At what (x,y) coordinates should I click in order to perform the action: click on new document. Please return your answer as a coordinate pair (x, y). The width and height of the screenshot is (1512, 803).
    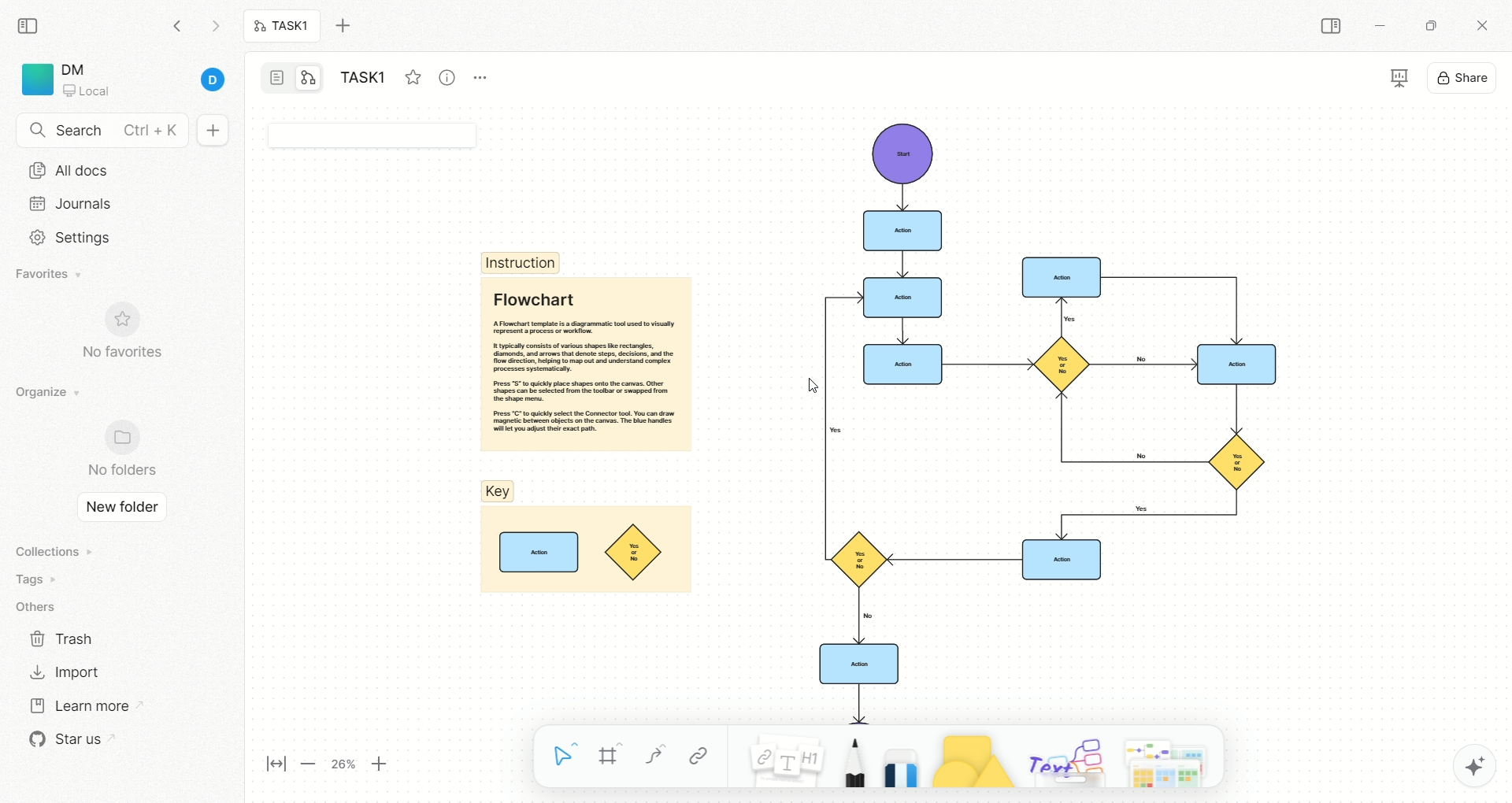
    Looking at the image, I should click on (210, 131).